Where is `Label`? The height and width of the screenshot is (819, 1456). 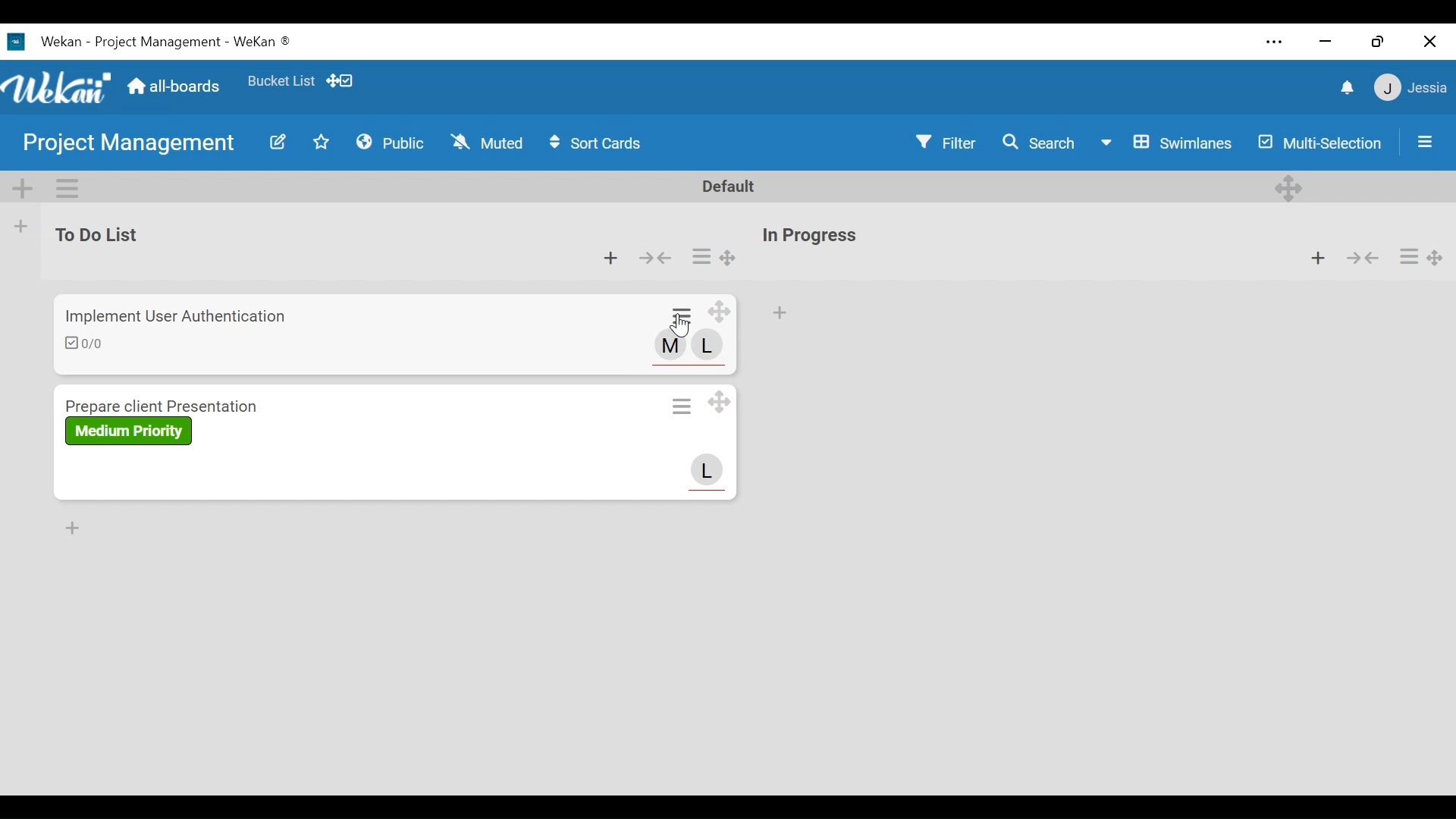 Label is located at coordinates (129, 431).